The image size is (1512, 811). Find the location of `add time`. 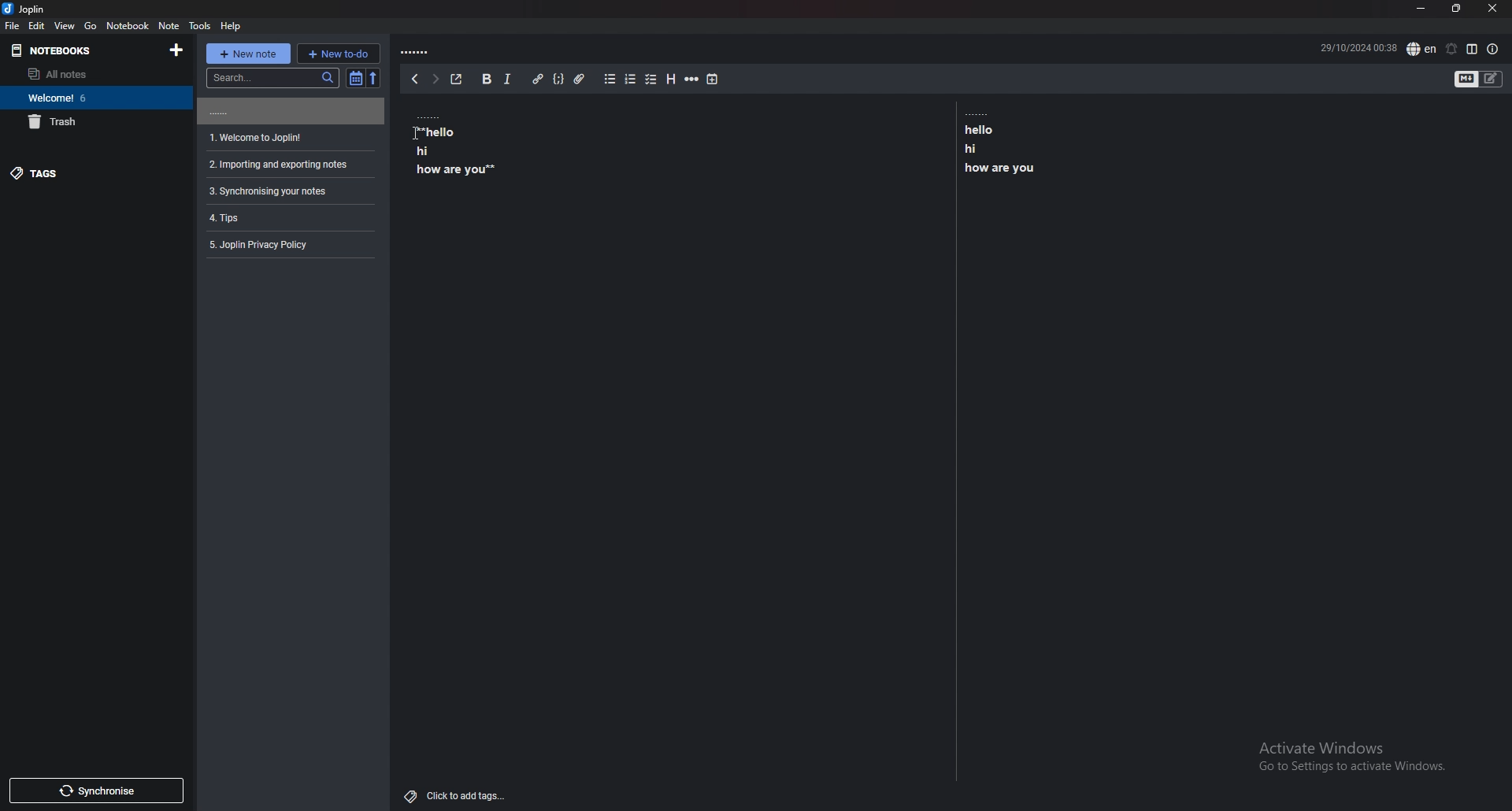

add time is located at coordinates (713, 80).